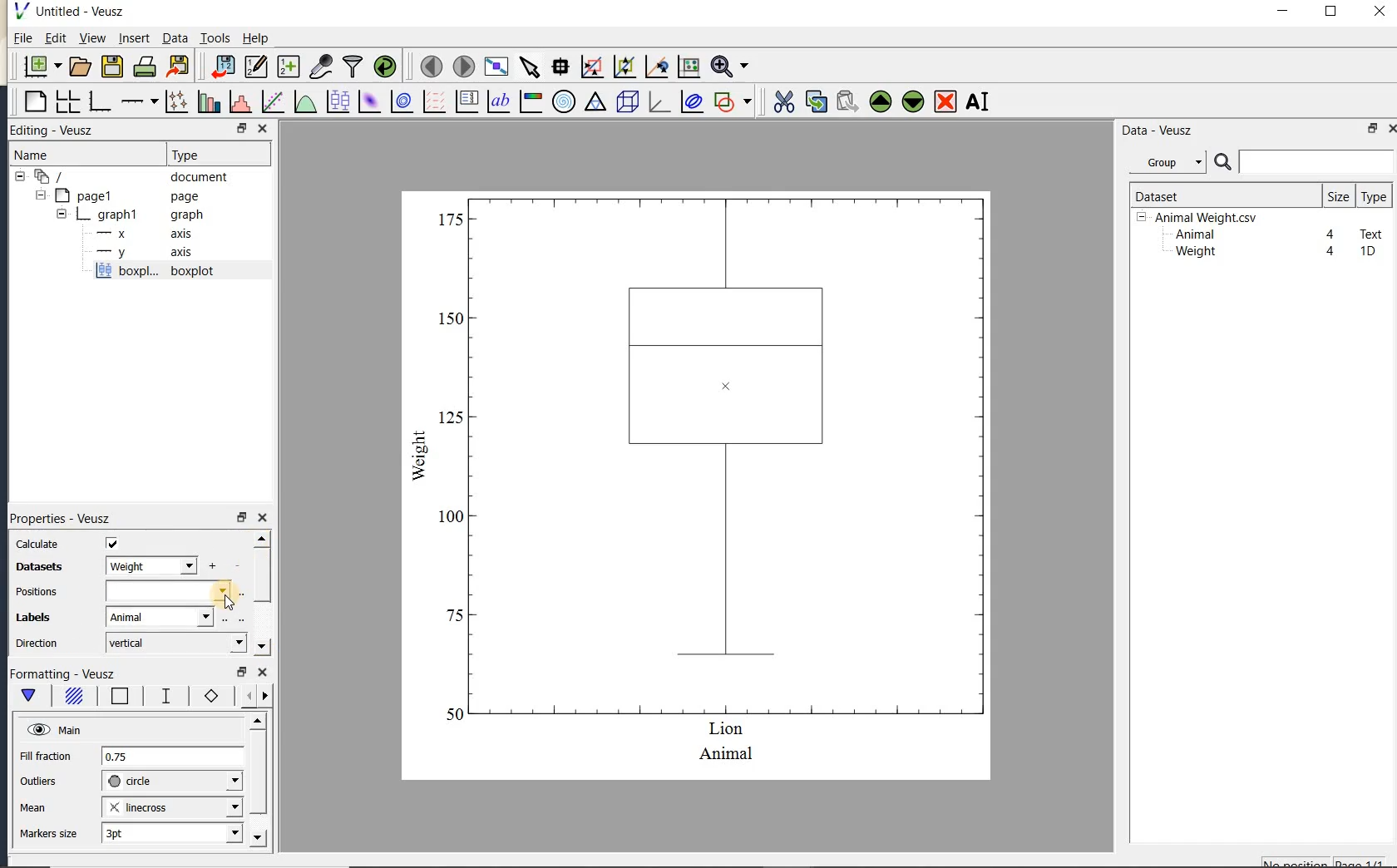 Image resolution: width=1397 pixels, height=868 pixels. What do you see at coordinates (304, 104) in the screenshot?
I see `plot a function` at bounding box center [304, 104].